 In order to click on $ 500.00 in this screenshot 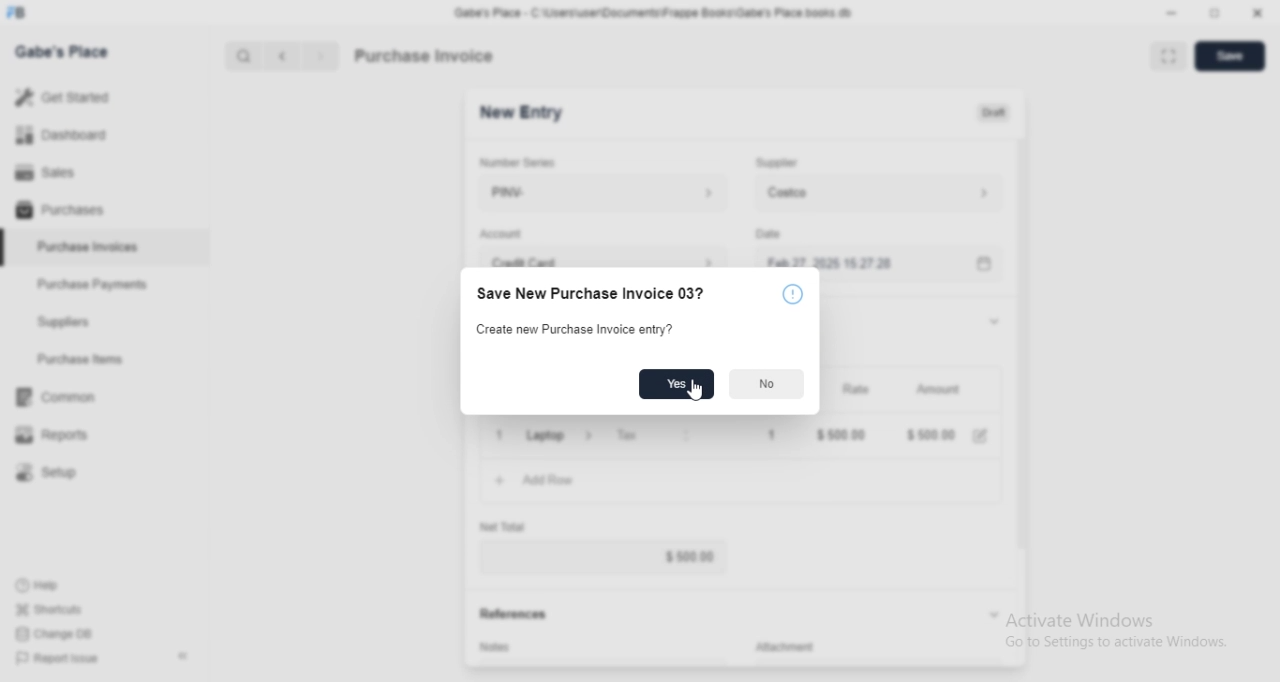, I will do `click(841, 435)`.